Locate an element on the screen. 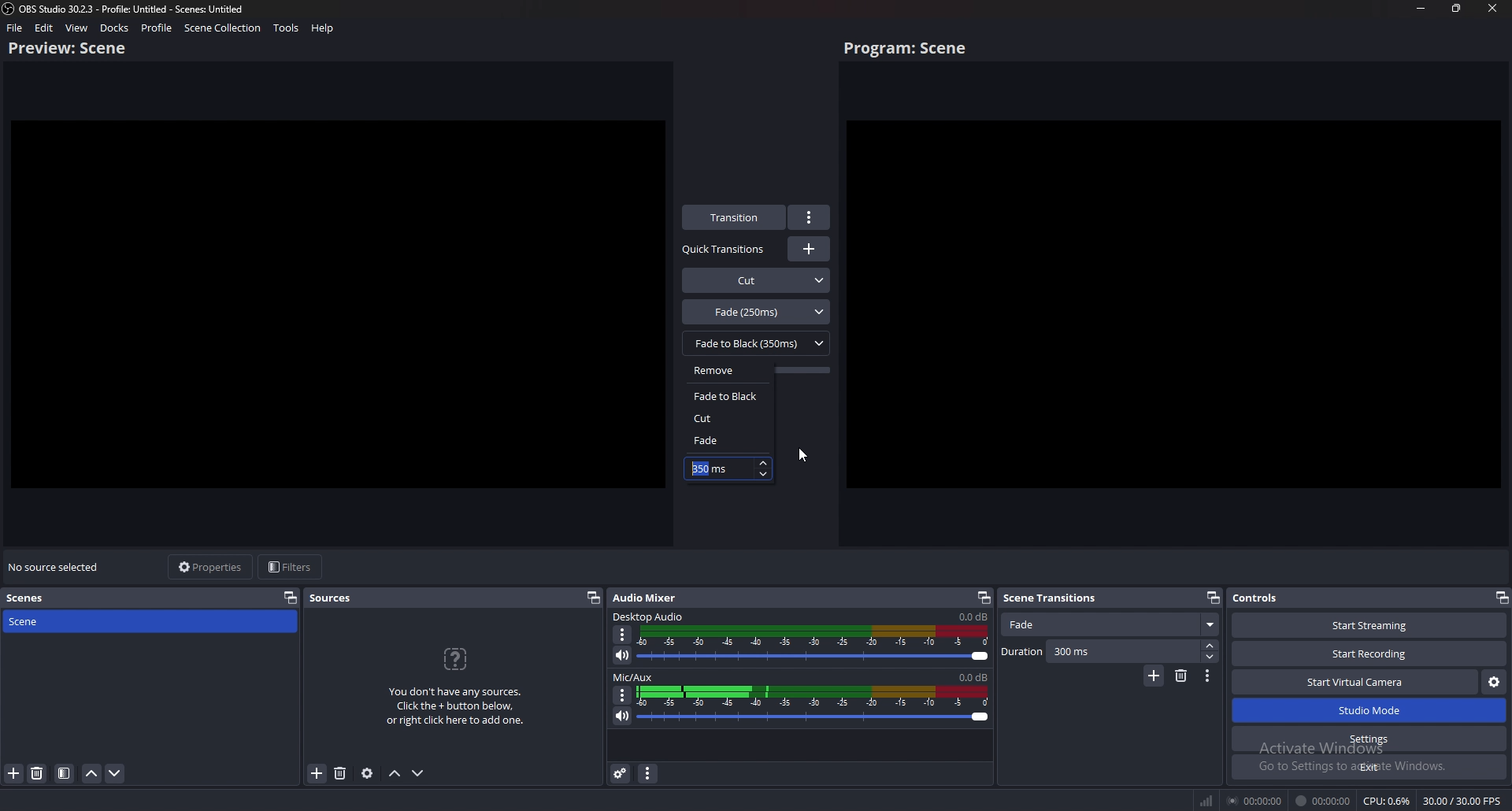  obs studio is located at coordinates (9, 9).